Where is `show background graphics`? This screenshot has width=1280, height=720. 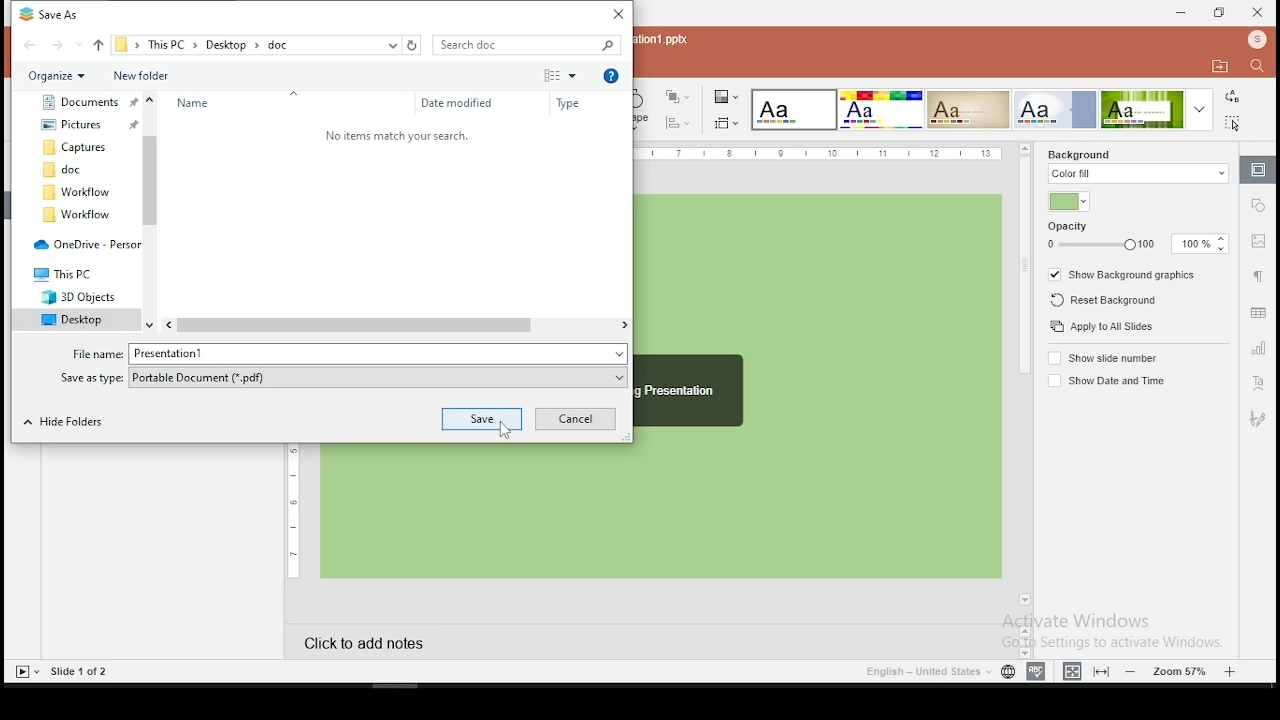
show background graphics is located at coordinates (1125, 275).